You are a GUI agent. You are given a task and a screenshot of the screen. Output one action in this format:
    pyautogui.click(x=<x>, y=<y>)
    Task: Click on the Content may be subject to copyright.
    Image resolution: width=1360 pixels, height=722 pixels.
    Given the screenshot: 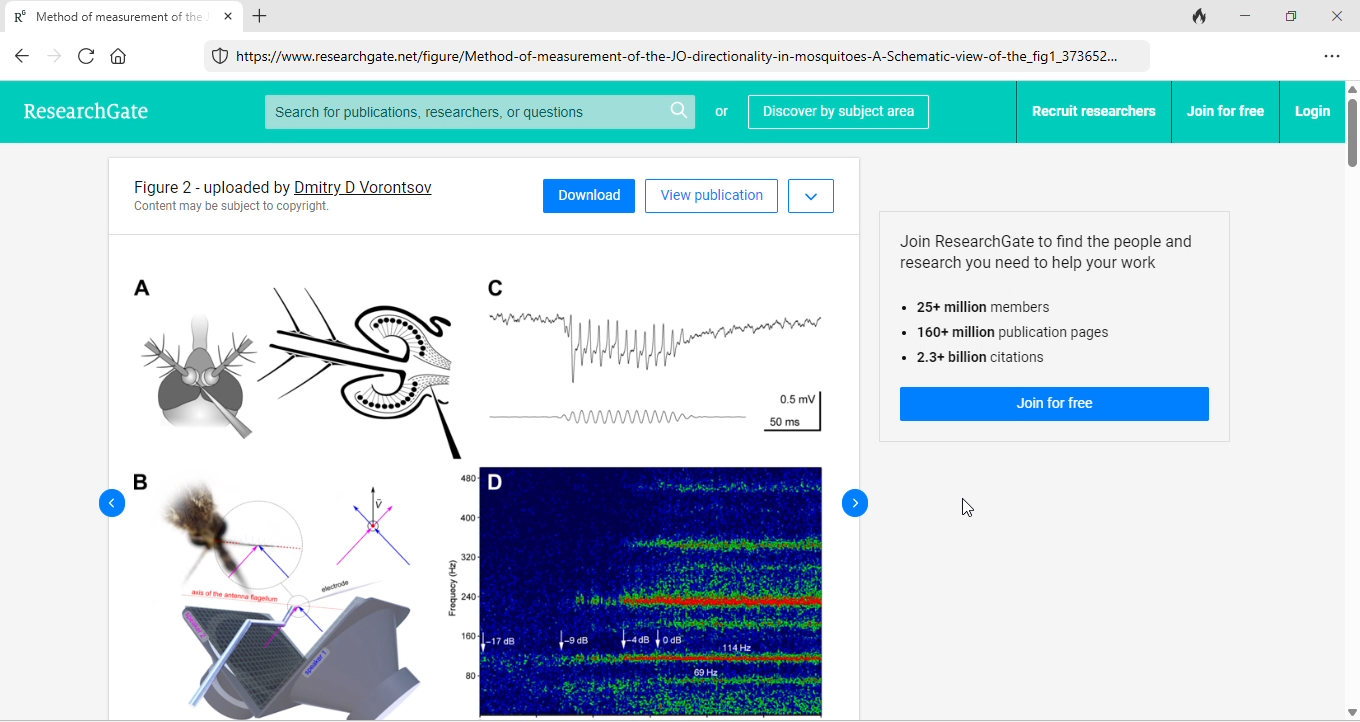 What is the action you would take?
    pyautogui.click(x=231, y=210)
    